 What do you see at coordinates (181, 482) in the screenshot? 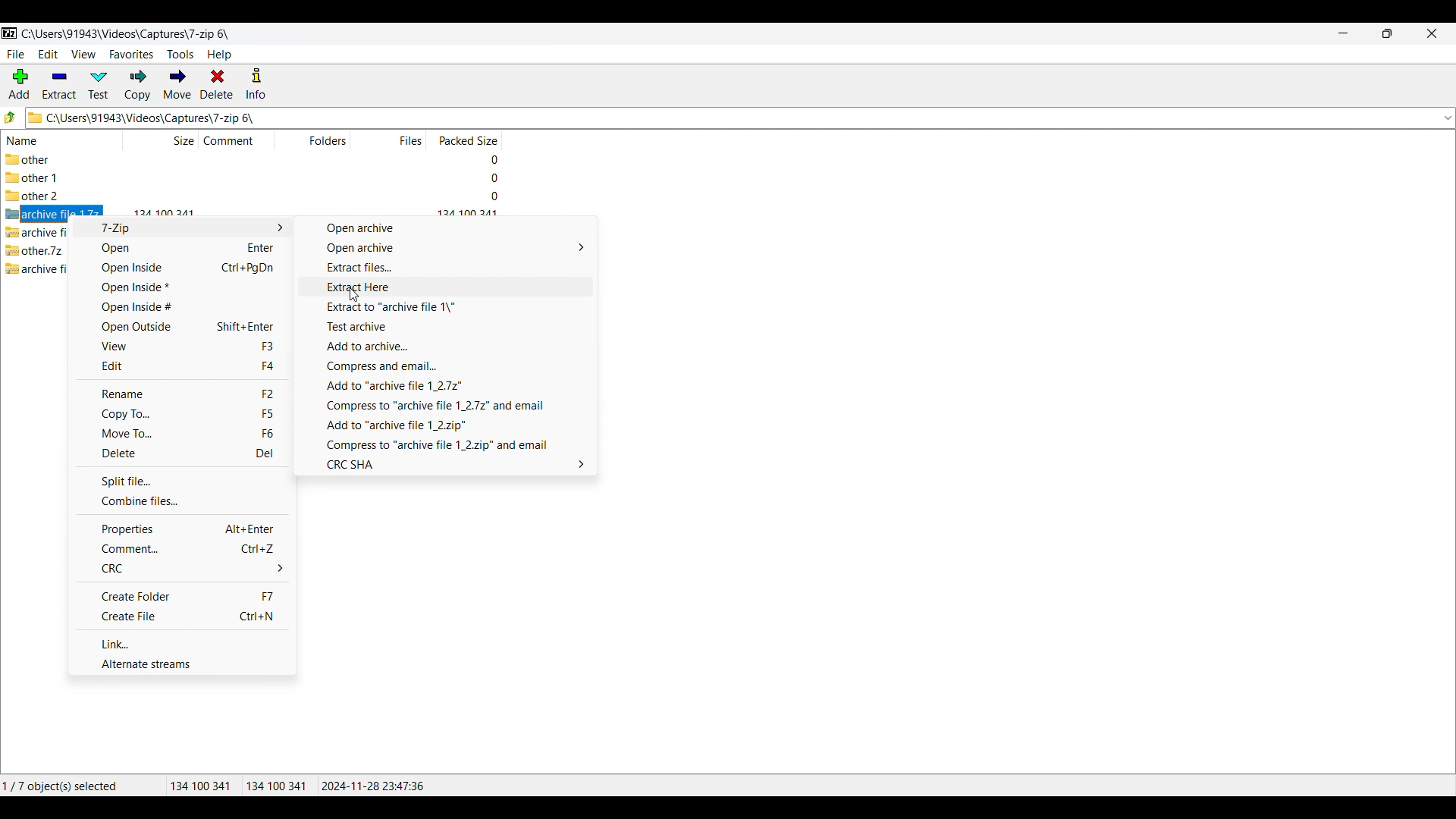
I see `Split file` at bounding box center [181, 482].